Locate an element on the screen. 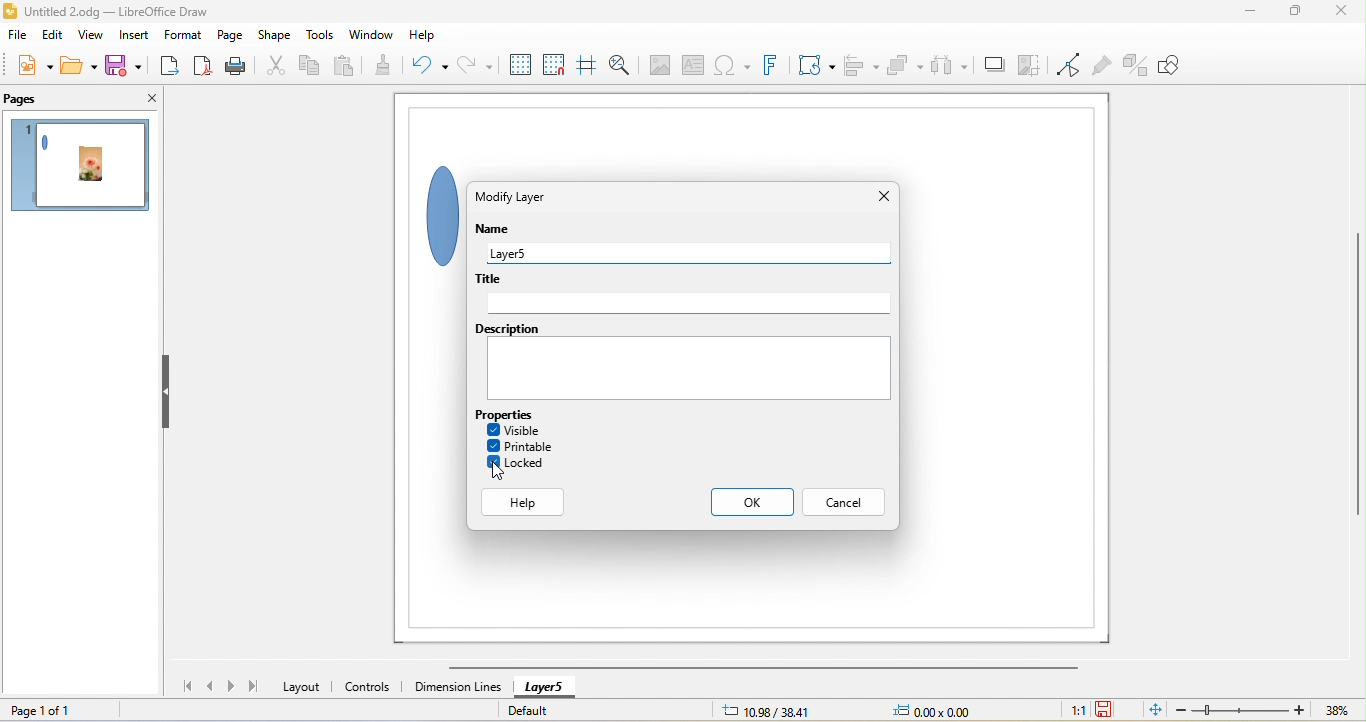 Image resolution: width=1366 pixels, height=722 pixels. select at least three object to distribute is located at coordinates (950, 64).